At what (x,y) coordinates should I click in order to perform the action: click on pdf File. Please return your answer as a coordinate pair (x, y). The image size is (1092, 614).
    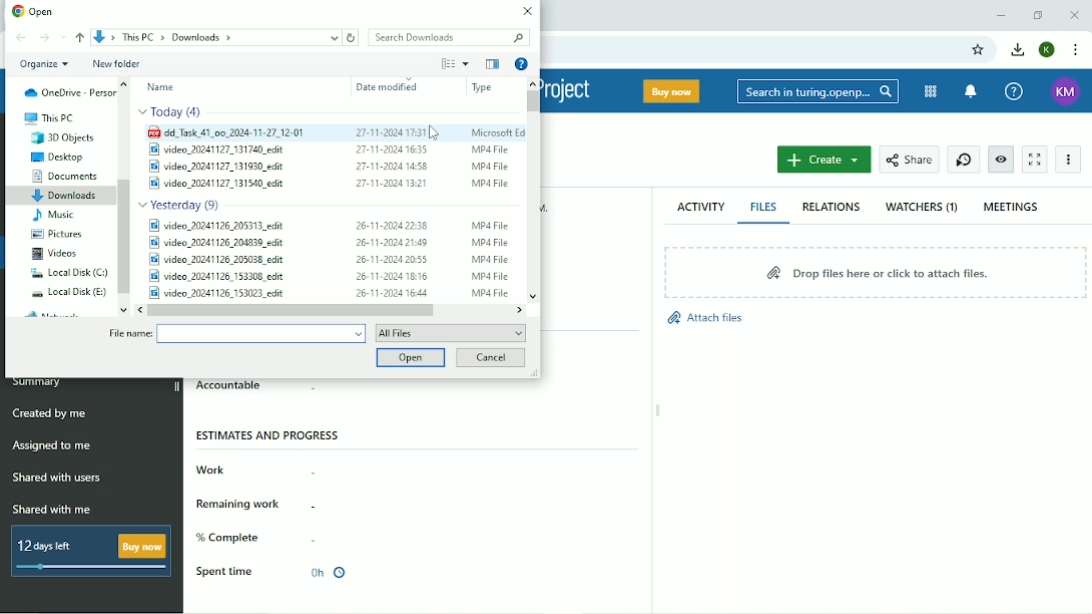
    Looking at the image, I should click on (335, 133).